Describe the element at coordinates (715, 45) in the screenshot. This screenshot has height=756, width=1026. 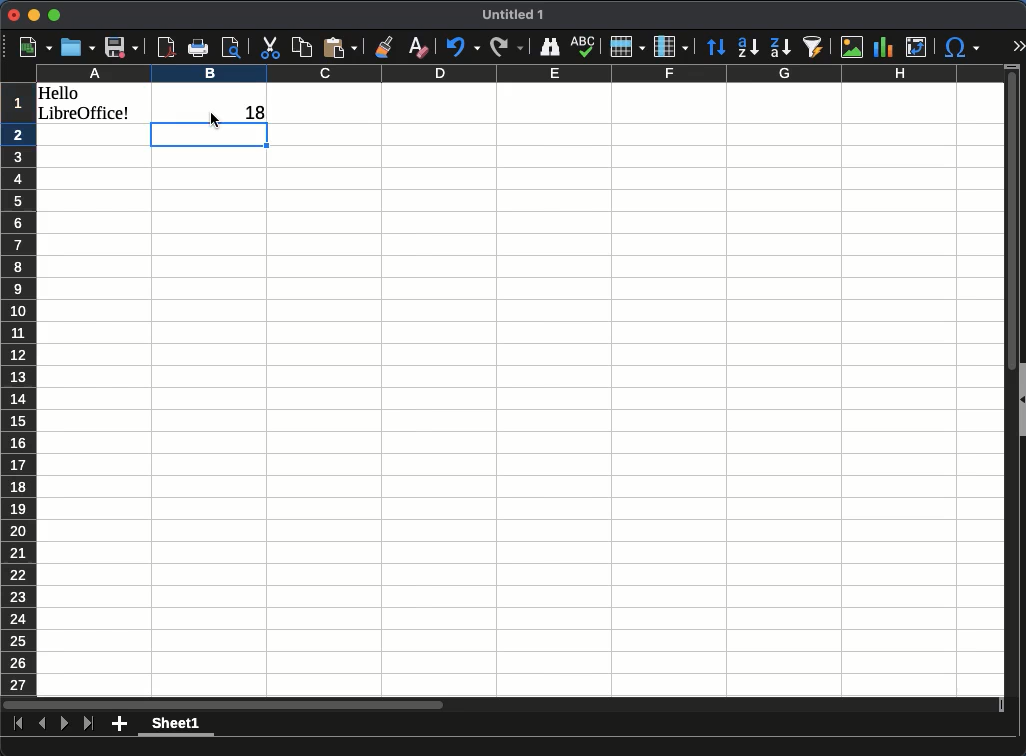
I see `sort` at that location.